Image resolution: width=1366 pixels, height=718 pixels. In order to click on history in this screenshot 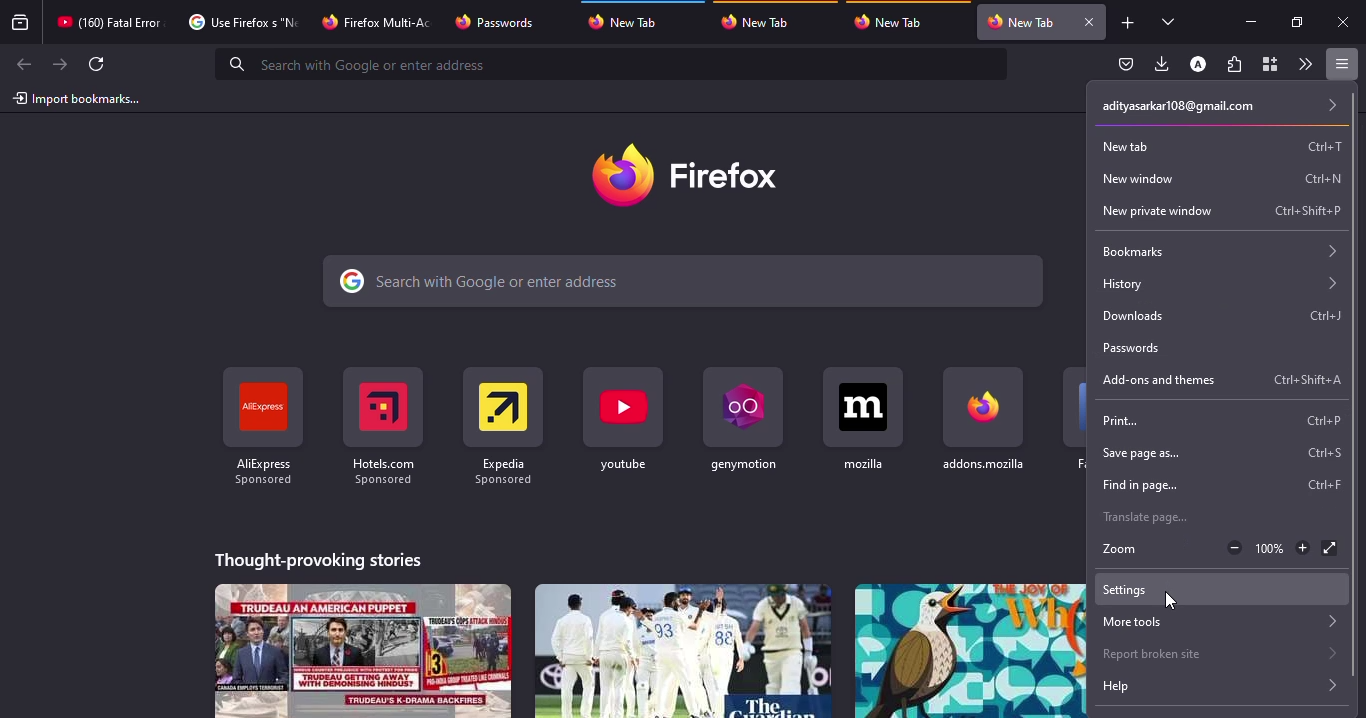, I will do `click(1218, 285)`.